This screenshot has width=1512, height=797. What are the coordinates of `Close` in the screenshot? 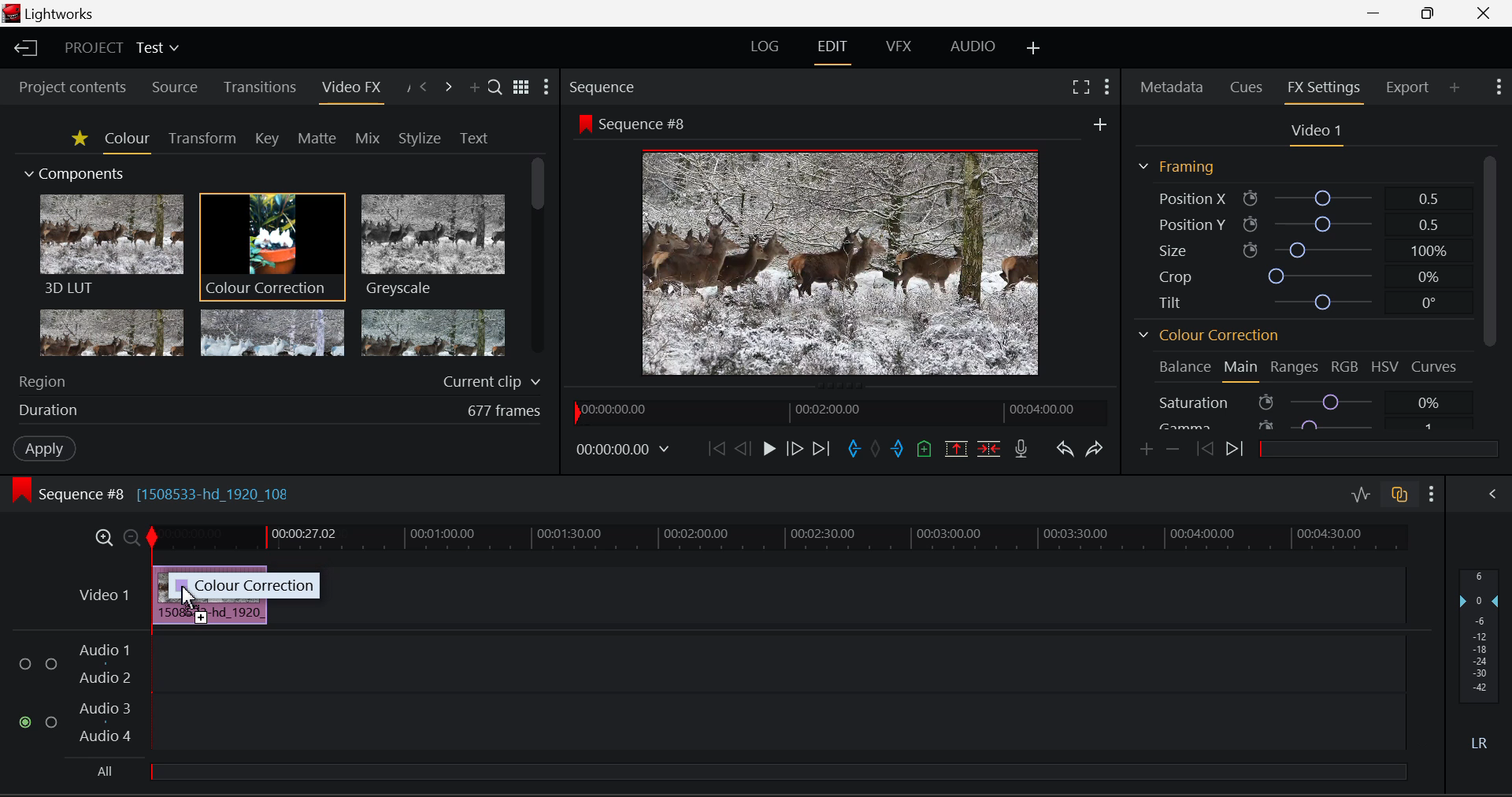 It's located at (1483, 14).